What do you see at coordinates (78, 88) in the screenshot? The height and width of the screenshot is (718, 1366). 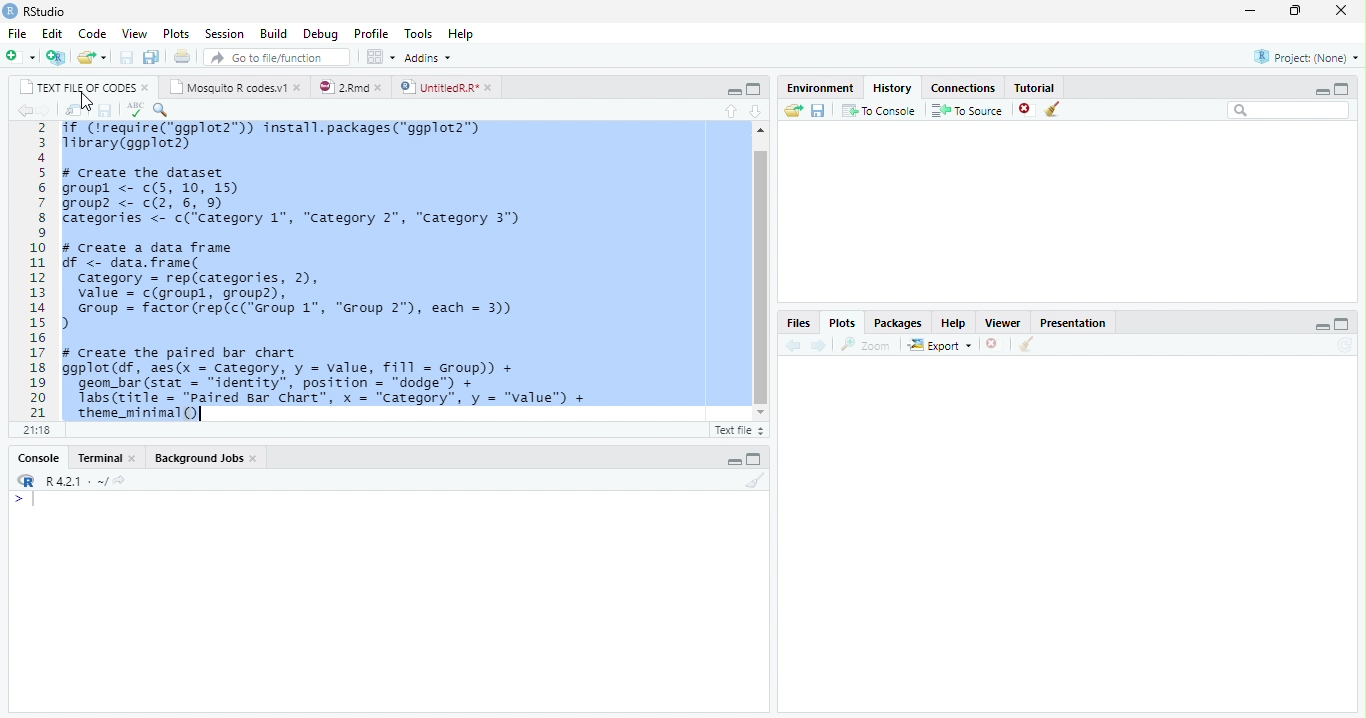 I see `text file of codes` at bounding box center [78, 88].